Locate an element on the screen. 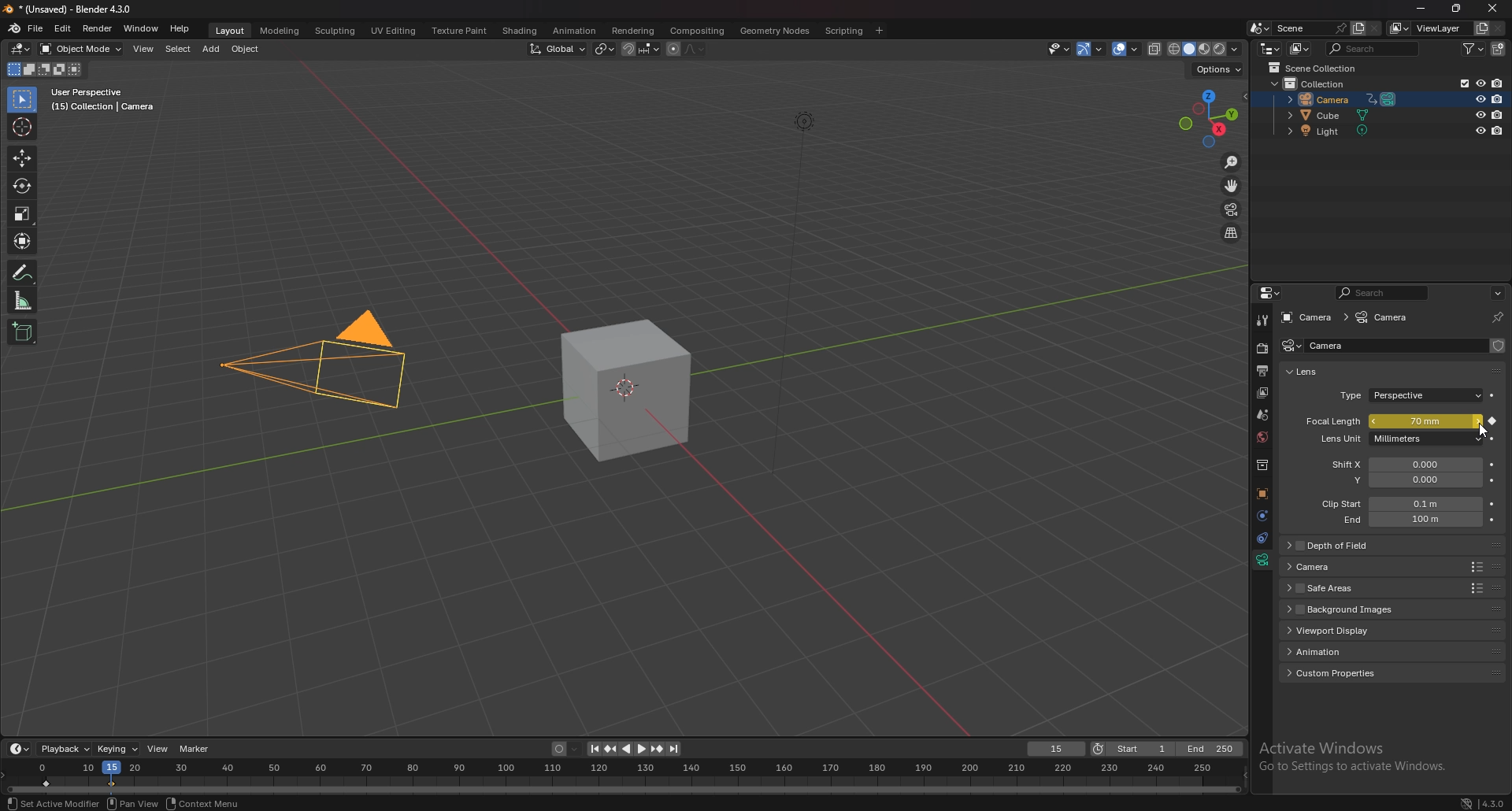 The width and height of the screenshot is (1512, 811).  is located at coordinates (784, 294).